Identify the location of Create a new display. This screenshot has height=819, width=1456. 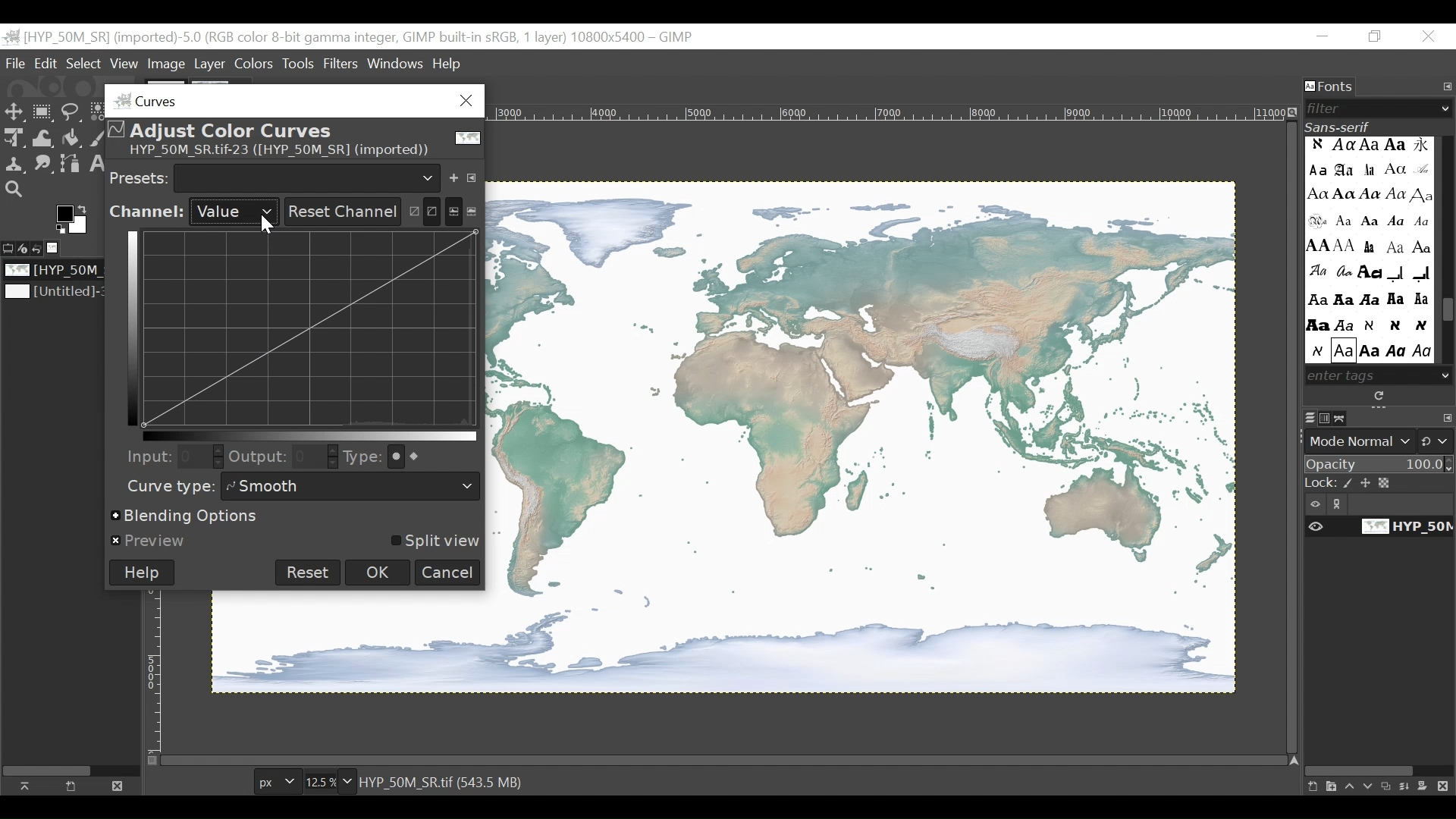
(71, 786).